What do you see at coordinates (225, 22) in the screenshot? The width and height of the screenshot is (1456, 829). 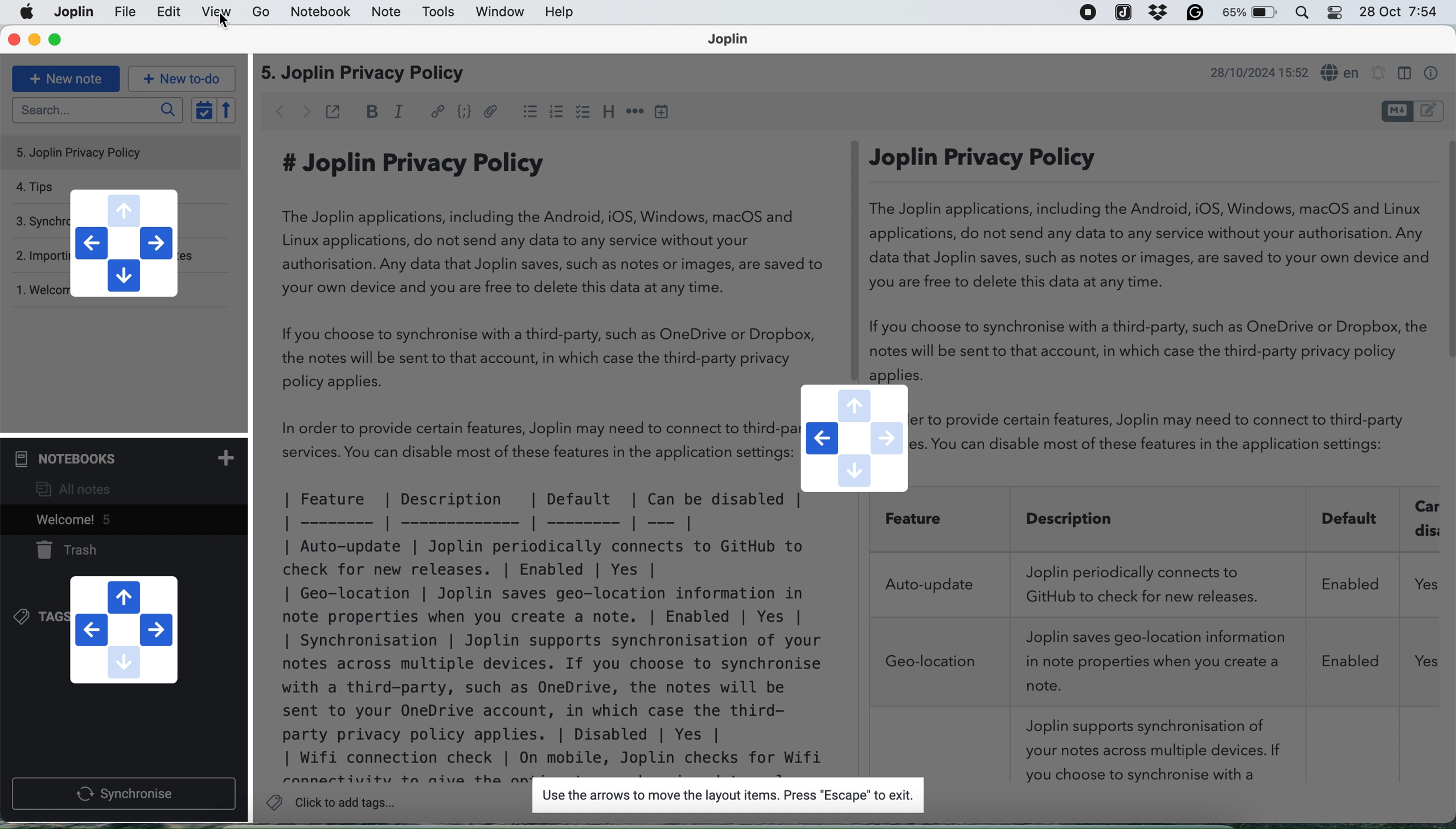 I see `cursor` at bounding box center [225, 22].